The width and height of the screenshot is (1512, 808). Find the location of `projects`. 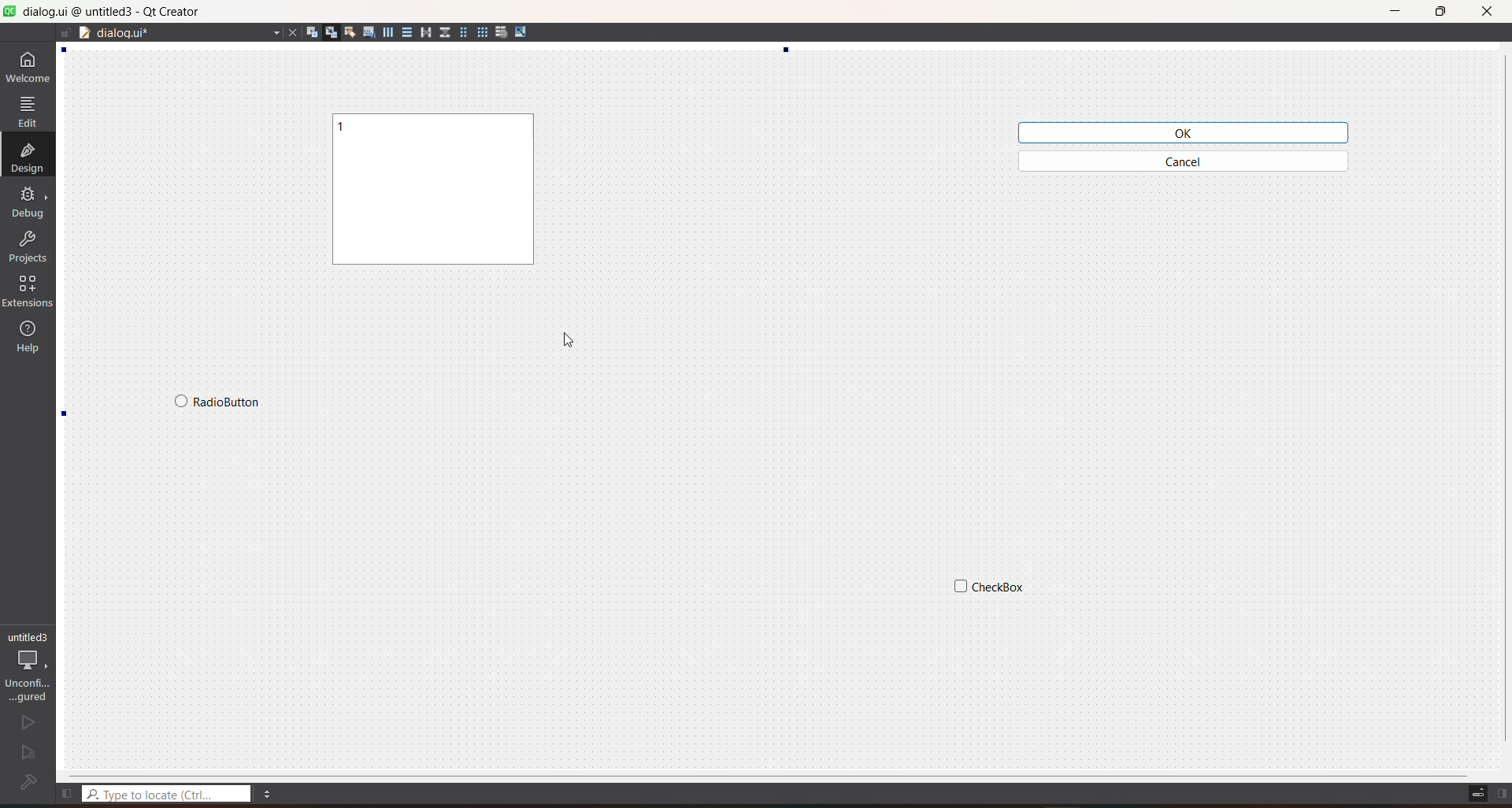

projects is located at coordinates (31, 244).